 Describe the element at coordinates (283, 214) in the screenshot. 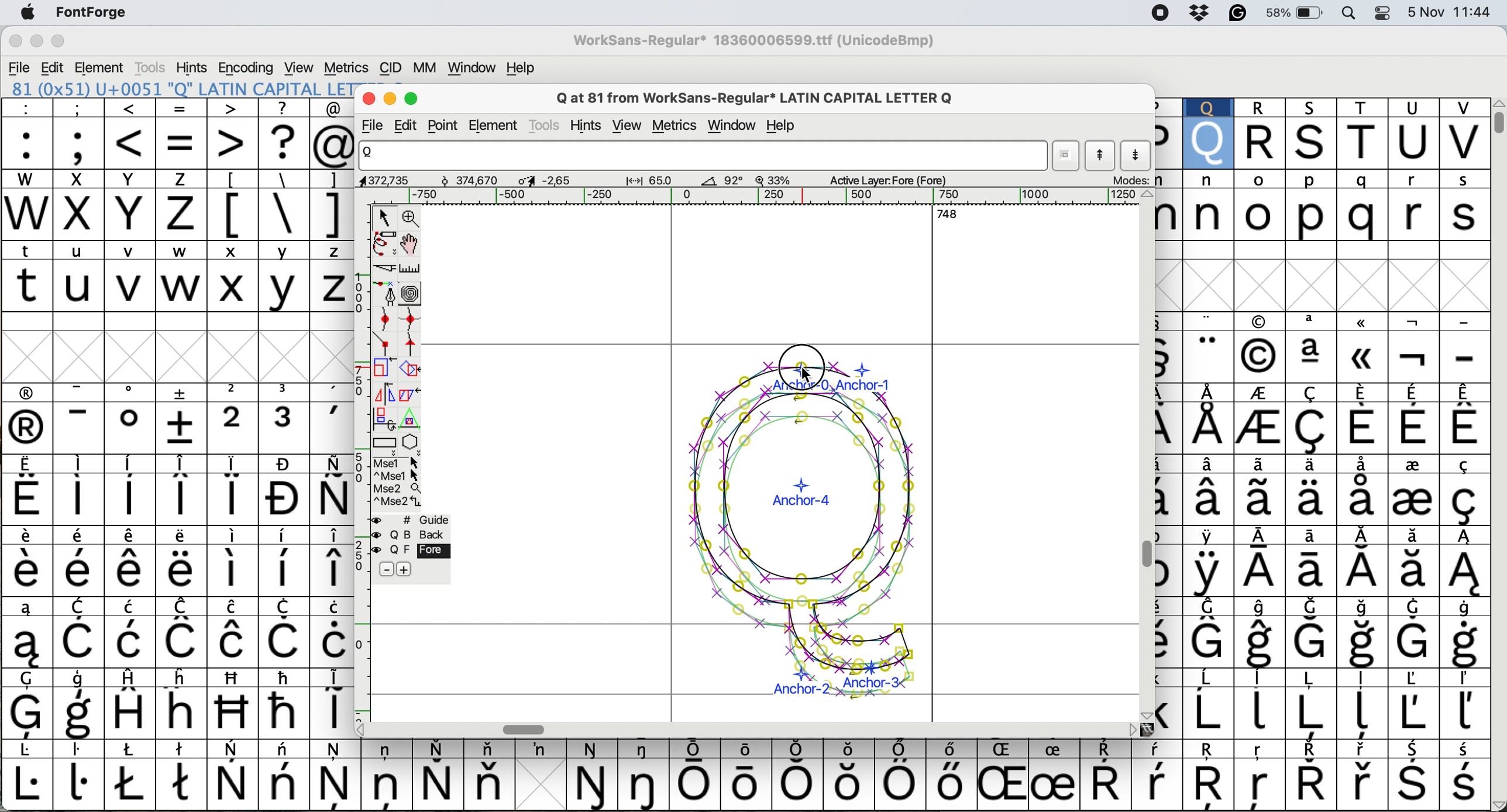

I see `special characters` at that location.